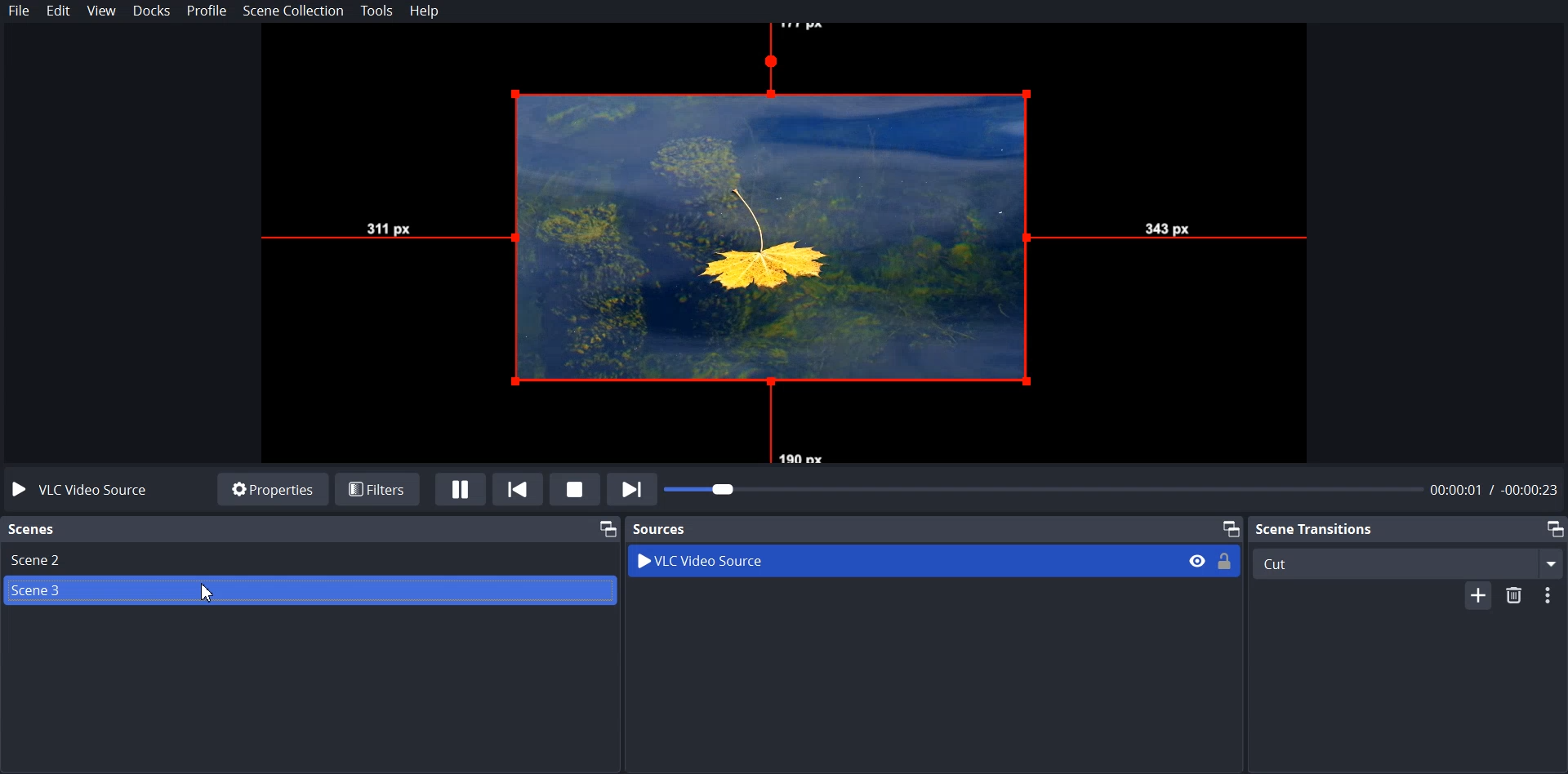 The height and width of the screenshot is (774, 1568). I want to click on Tools, so click(377, 11).